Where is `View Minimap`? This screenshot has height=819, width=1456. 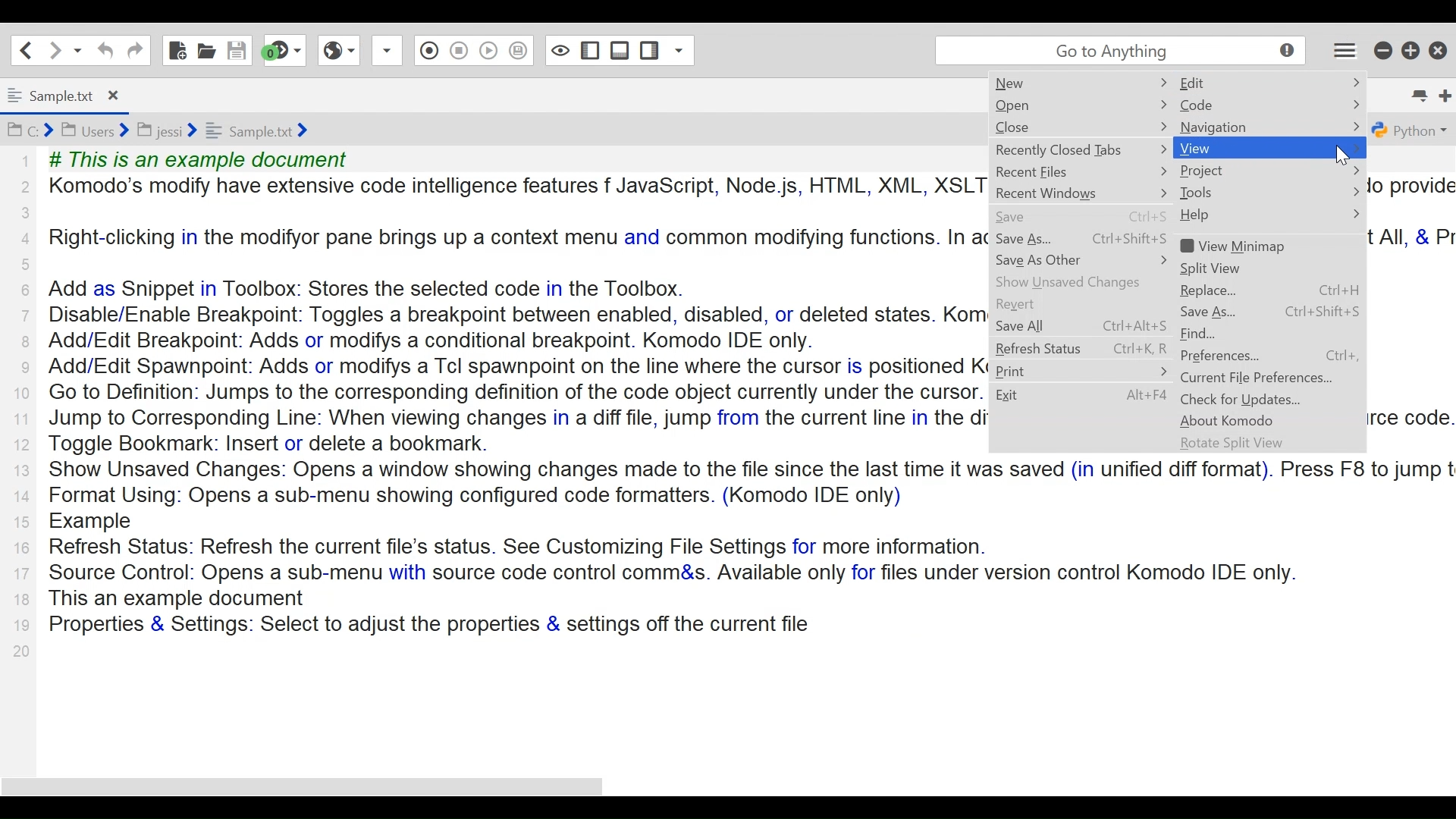
View Minimap is located at coordinates (1244, 246).